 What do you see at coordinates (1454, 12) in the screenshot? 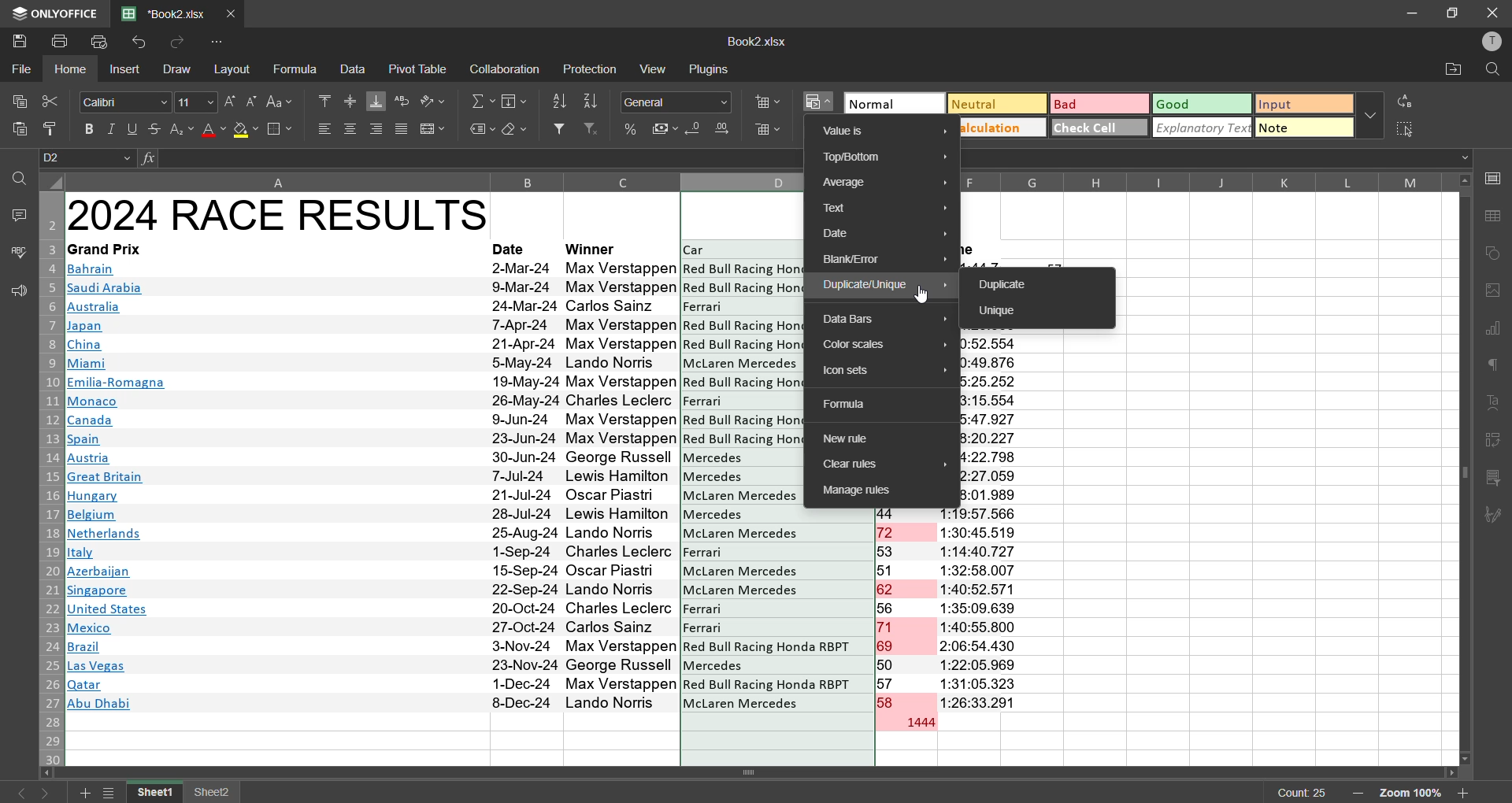
I see `maximize` at bounding box center [1454, 12].